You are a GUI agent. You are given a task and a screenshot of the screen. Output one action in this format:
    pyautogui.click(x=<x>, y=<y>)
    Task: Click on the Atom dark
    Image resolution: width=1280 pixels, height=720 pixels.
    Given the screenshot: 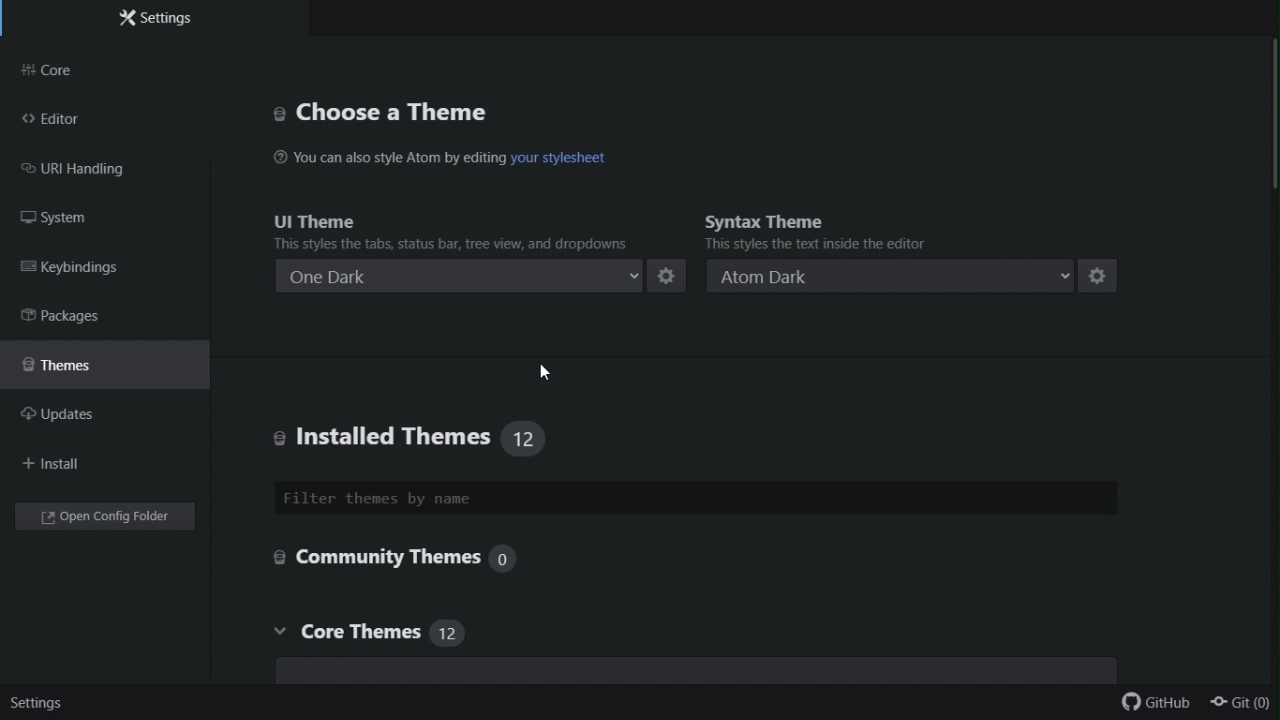 What is the action you would take?
    pyautogui.click(x=887, y=274)
    